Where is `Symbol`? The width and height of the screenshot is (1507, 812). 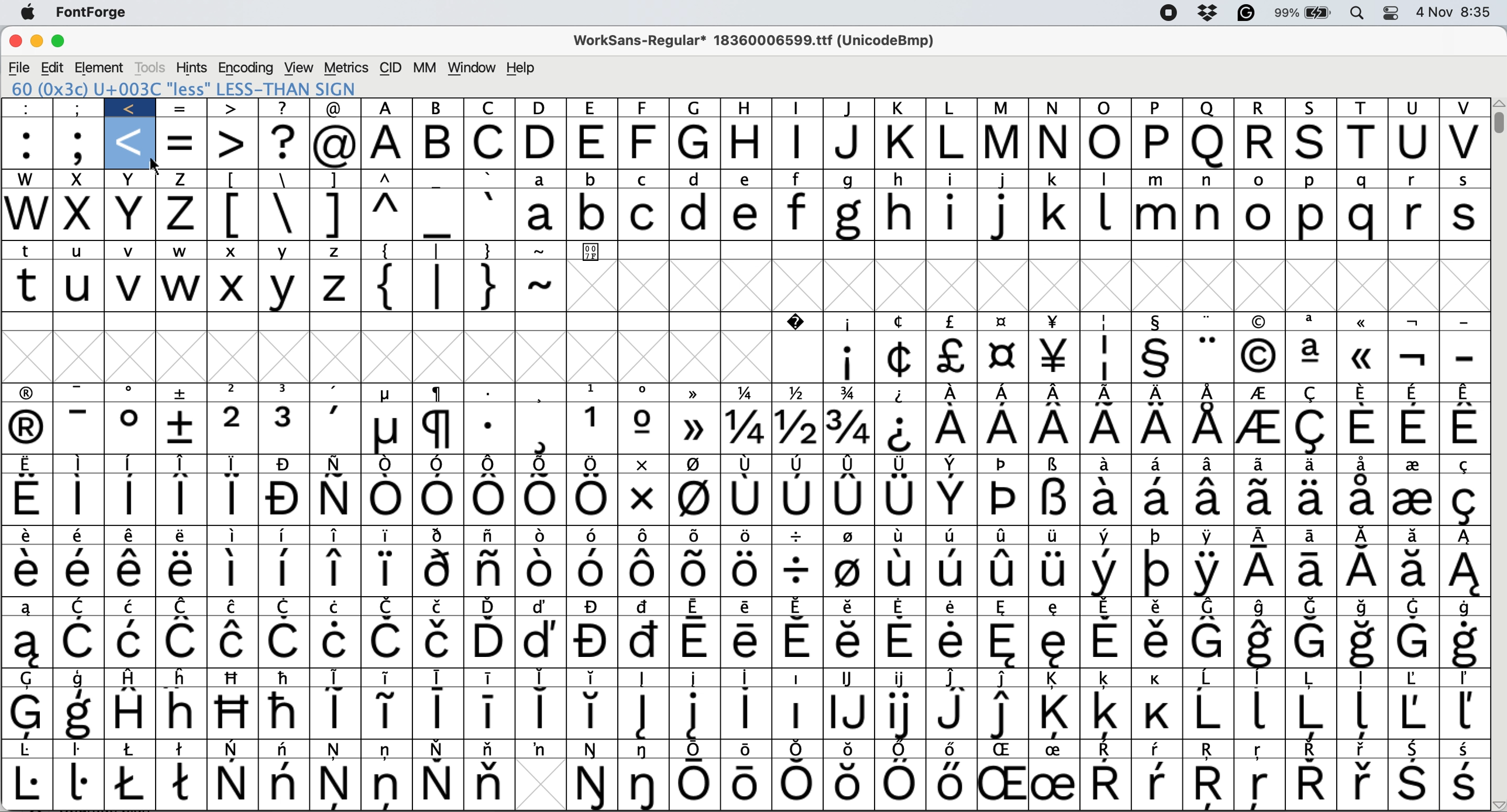
Symbol is located at coordinates (1106, 608).